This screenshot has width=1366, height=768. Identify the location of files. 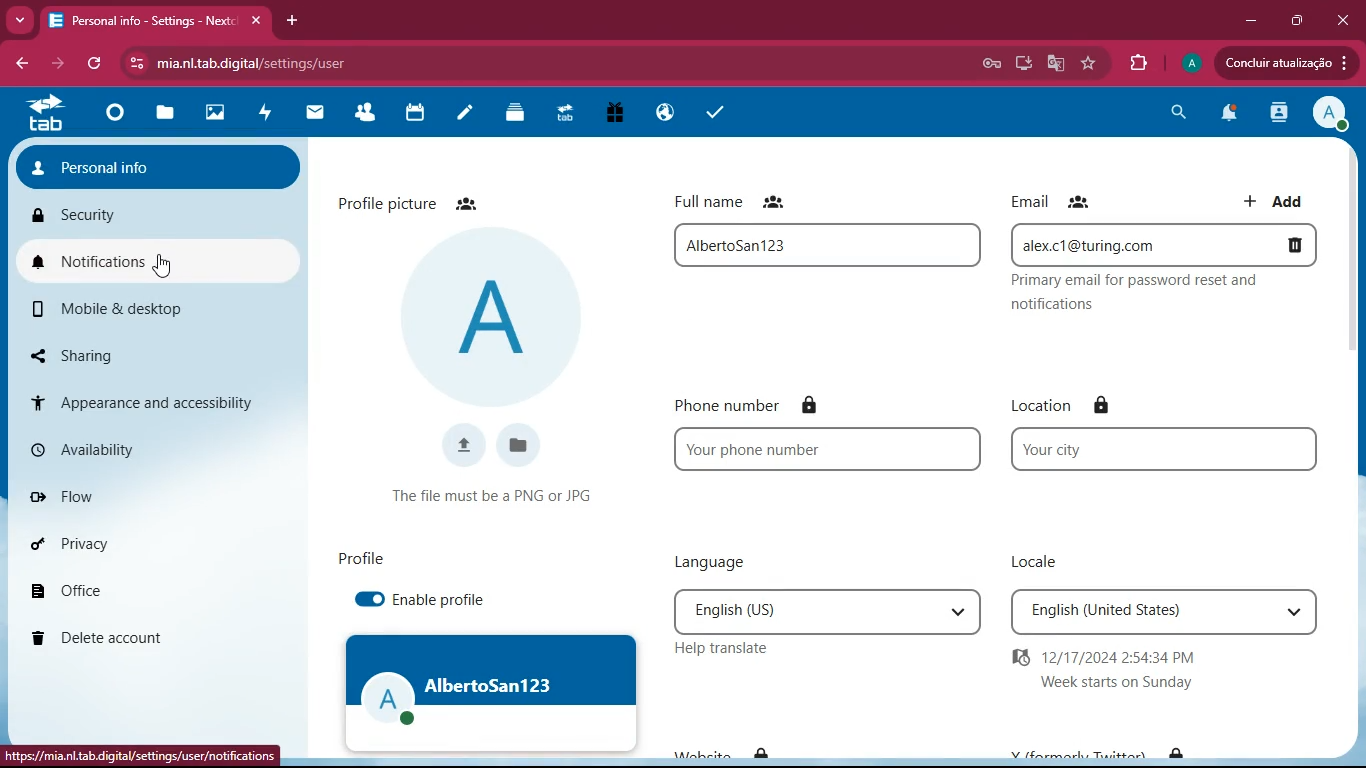
(161, 117).